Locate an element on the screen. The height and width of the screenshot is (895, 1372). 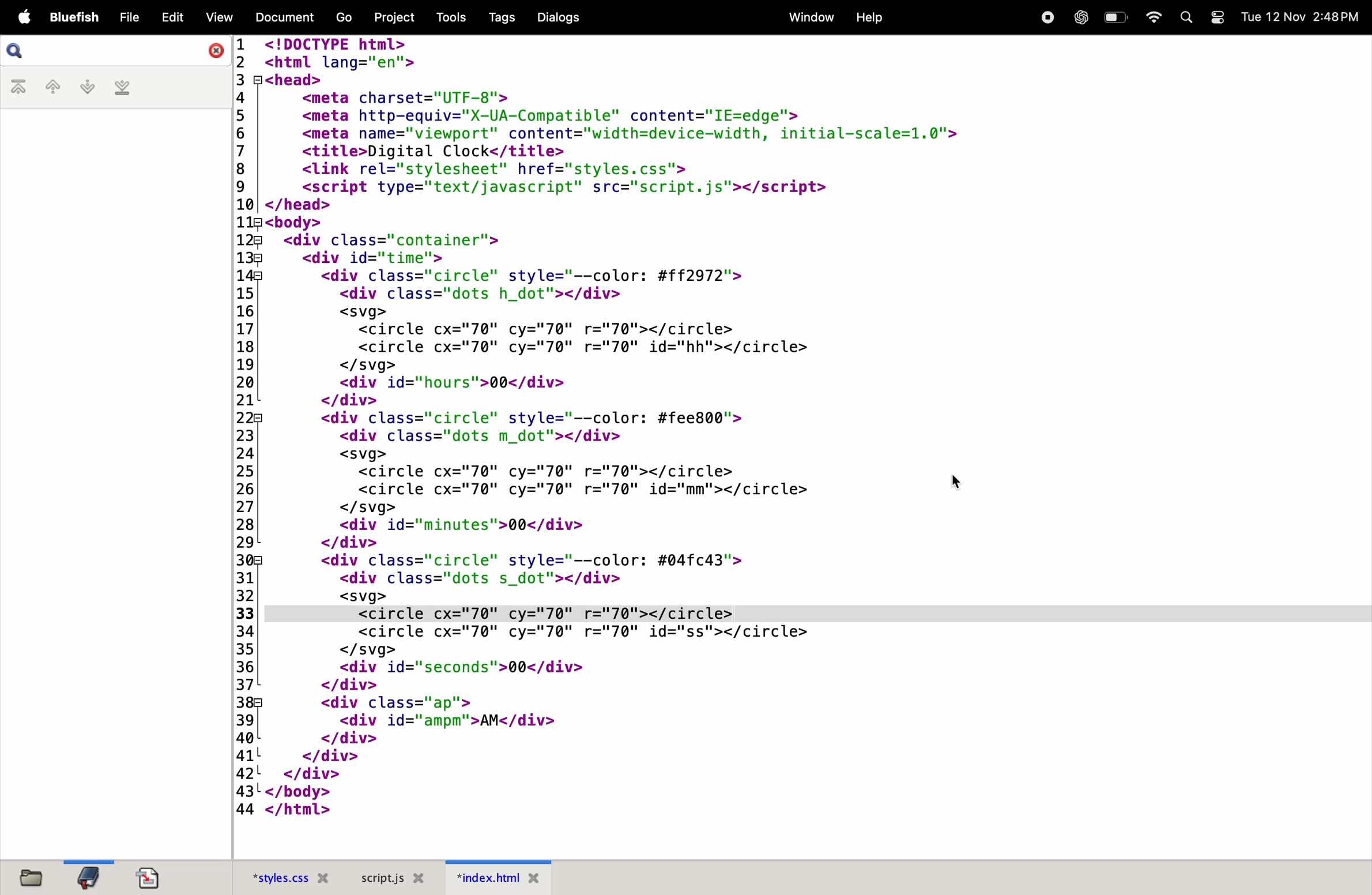
index.html is located at coordinates (507, 881).